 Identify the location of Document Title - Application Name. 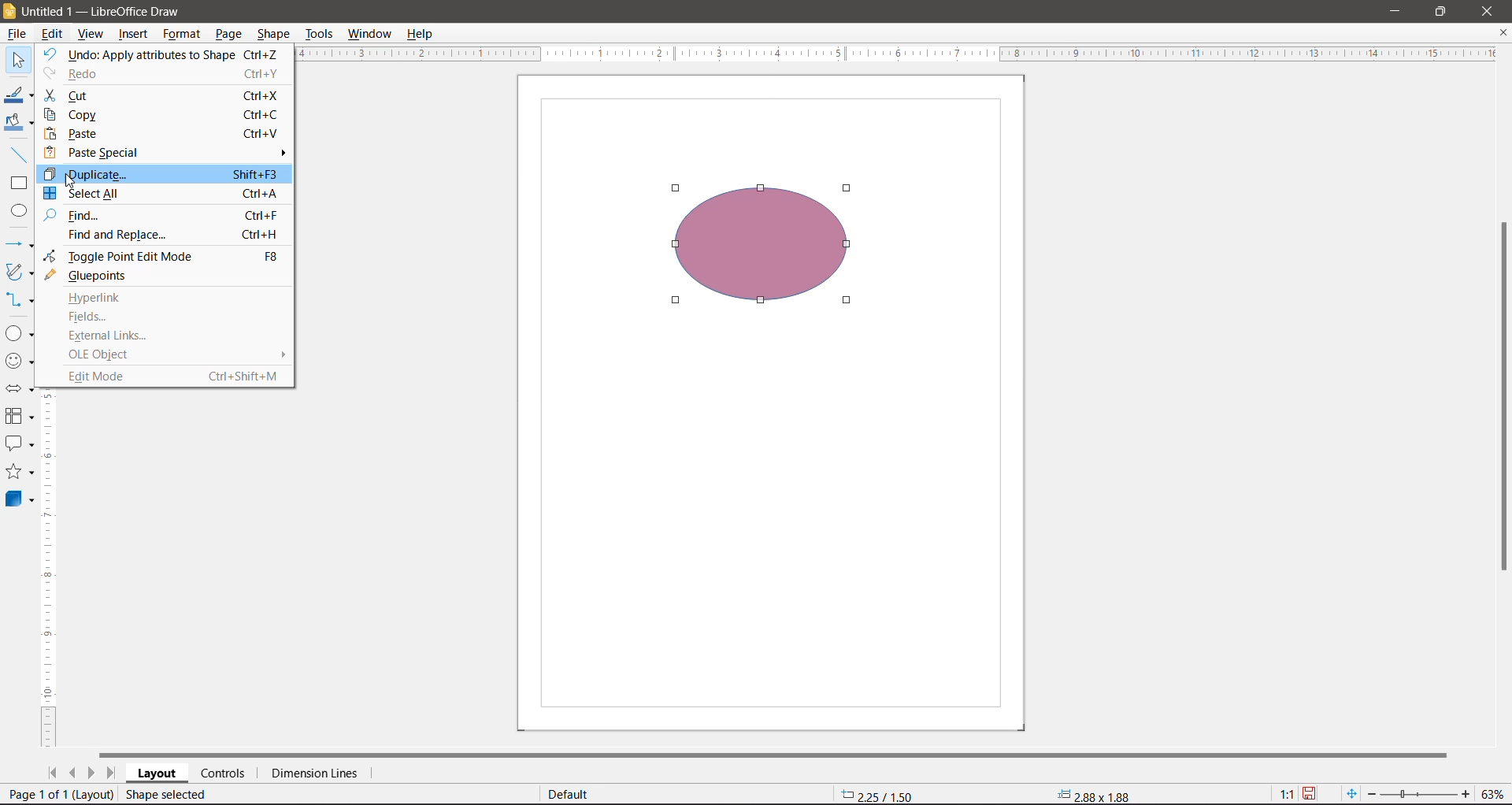
(119, 10).